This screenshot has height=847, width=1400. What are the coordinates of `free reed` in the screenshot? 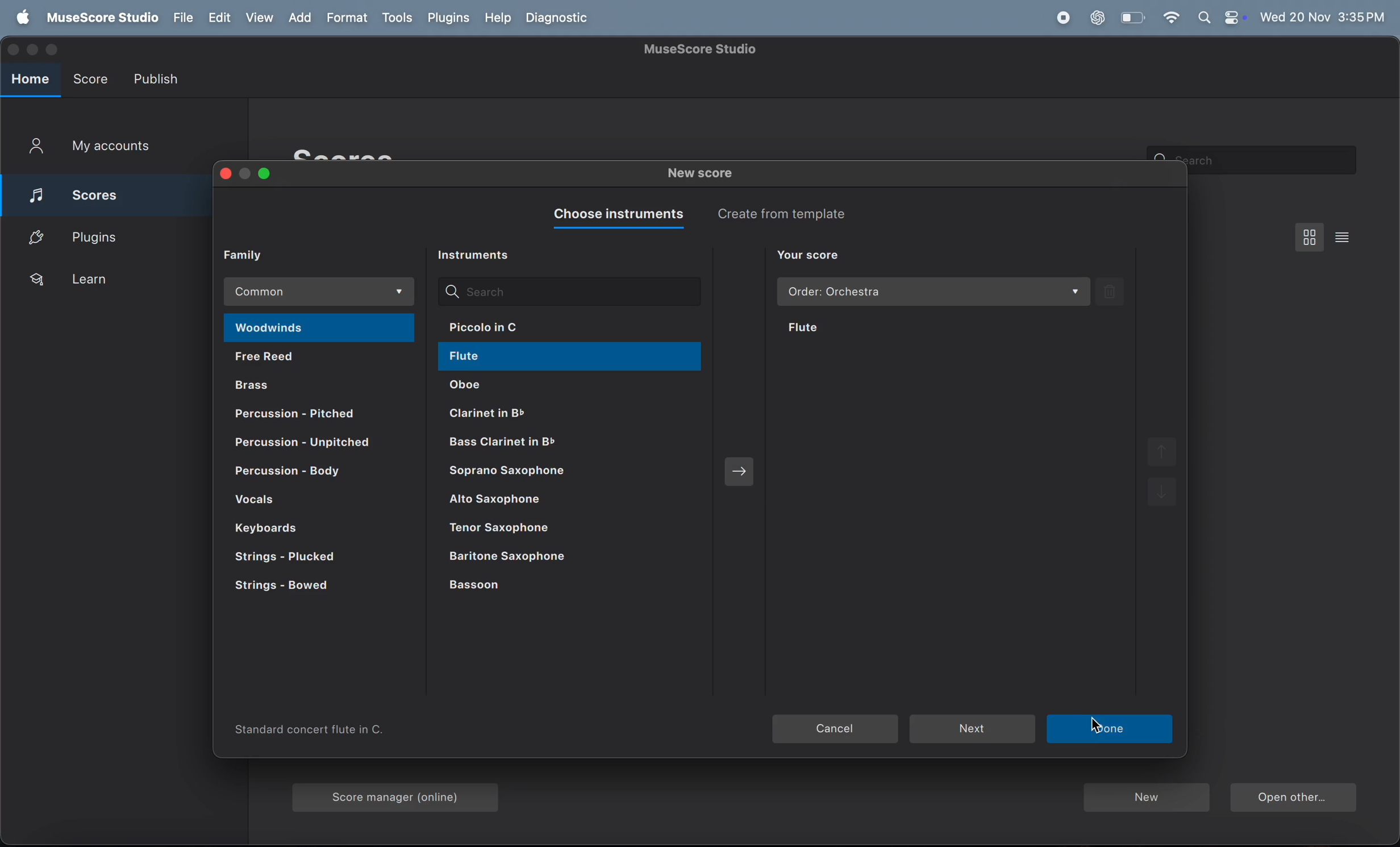 It's located at (317, 359).